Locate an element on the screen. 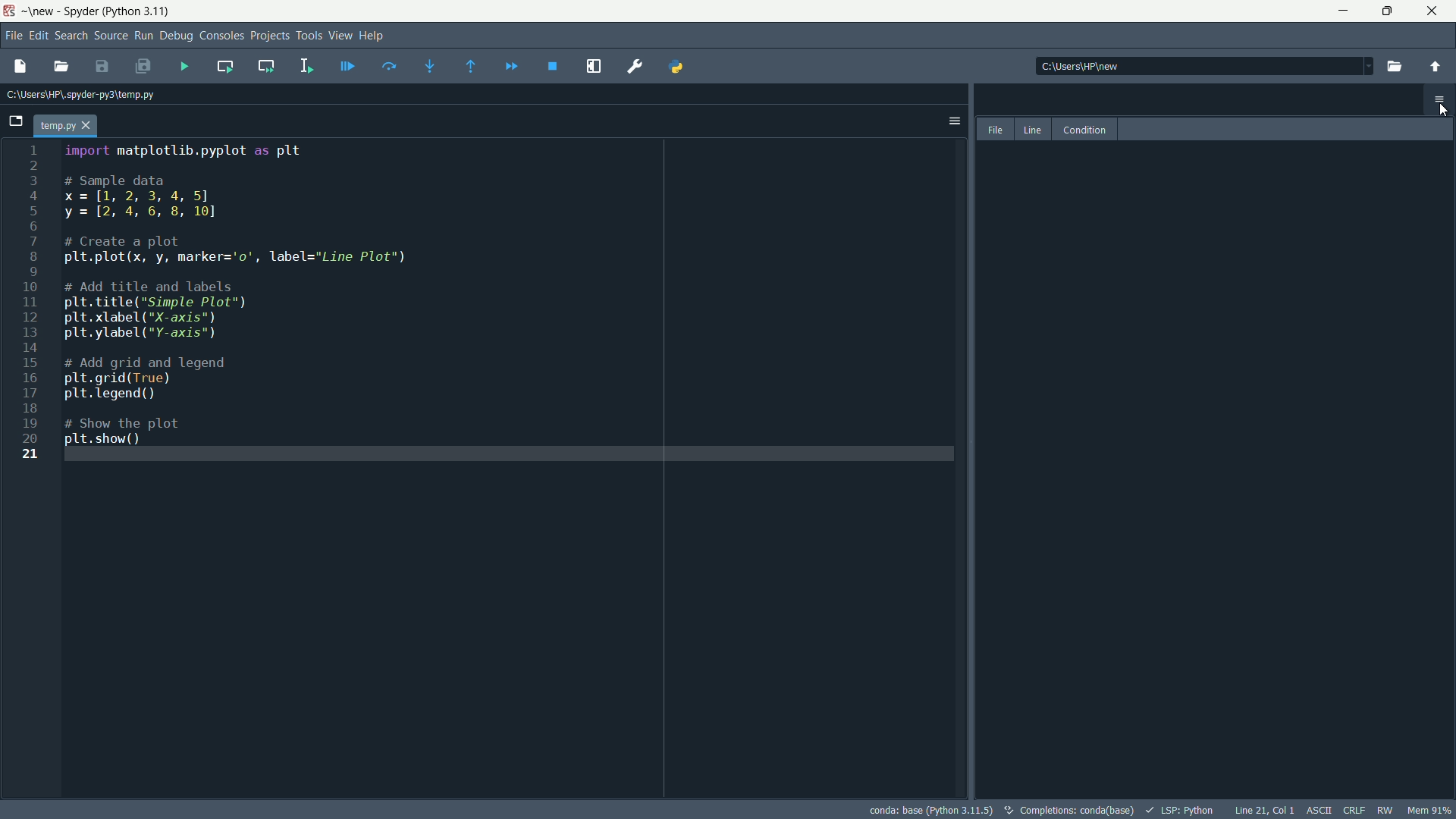 The height and width of the screenshot is (819, 1456). 1 2 3 4 5 6 7 8 9 10 11 12 13 14 15 16 17 18 19 20 21 is located at coordinates (36, 312).